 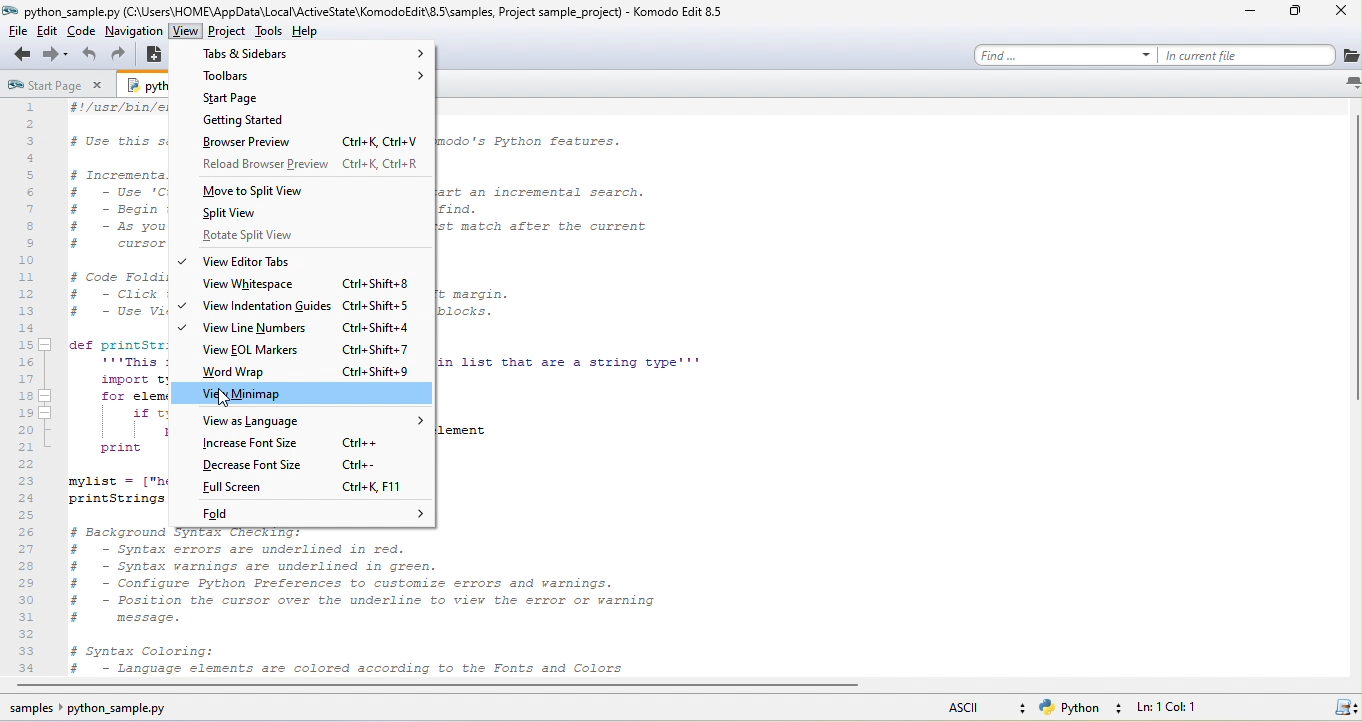 I want to click on edit, so click(x=48, y=36).